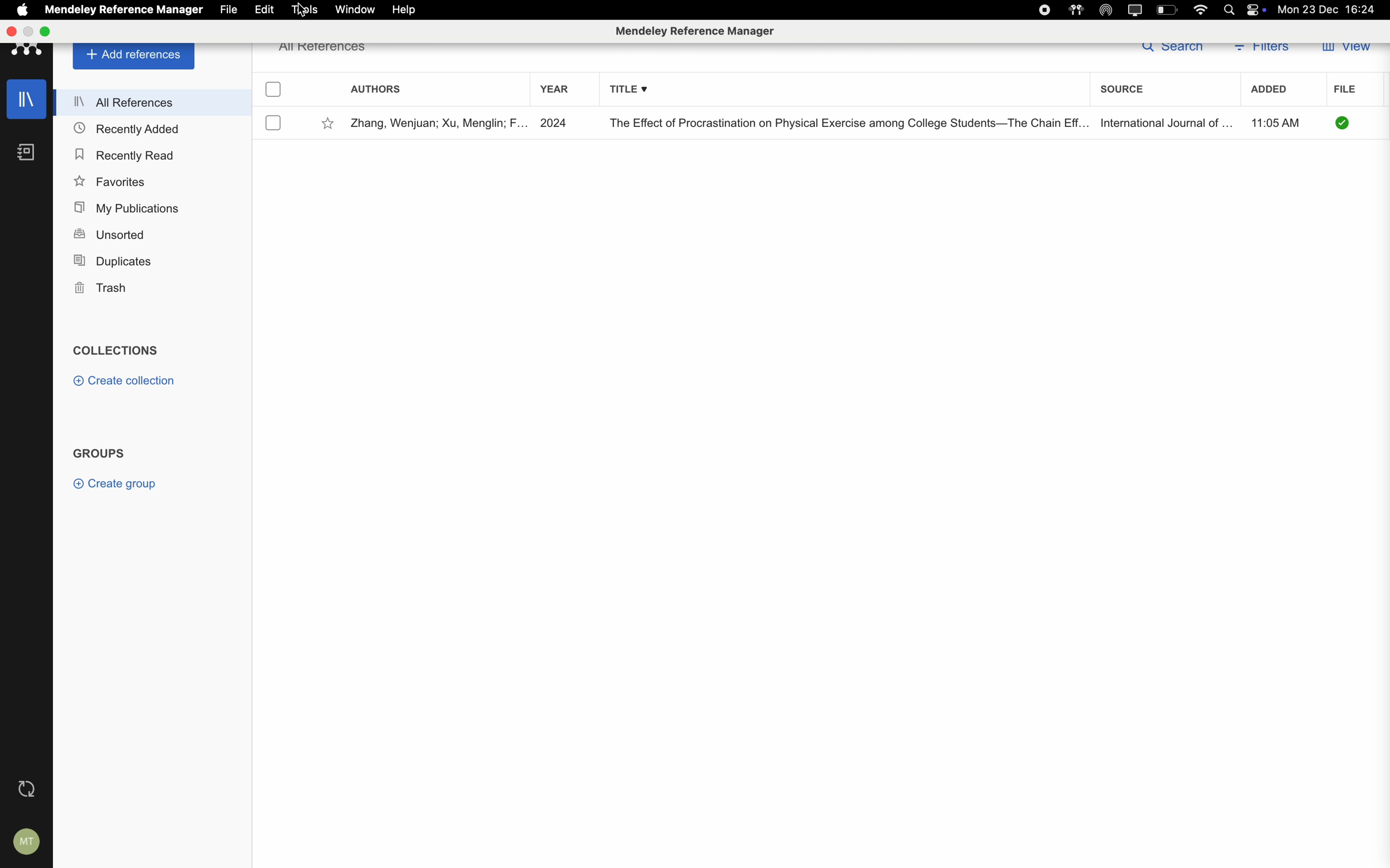 This screenshot has width=1390, height=868. I want to click on create group, so click(117, 485).